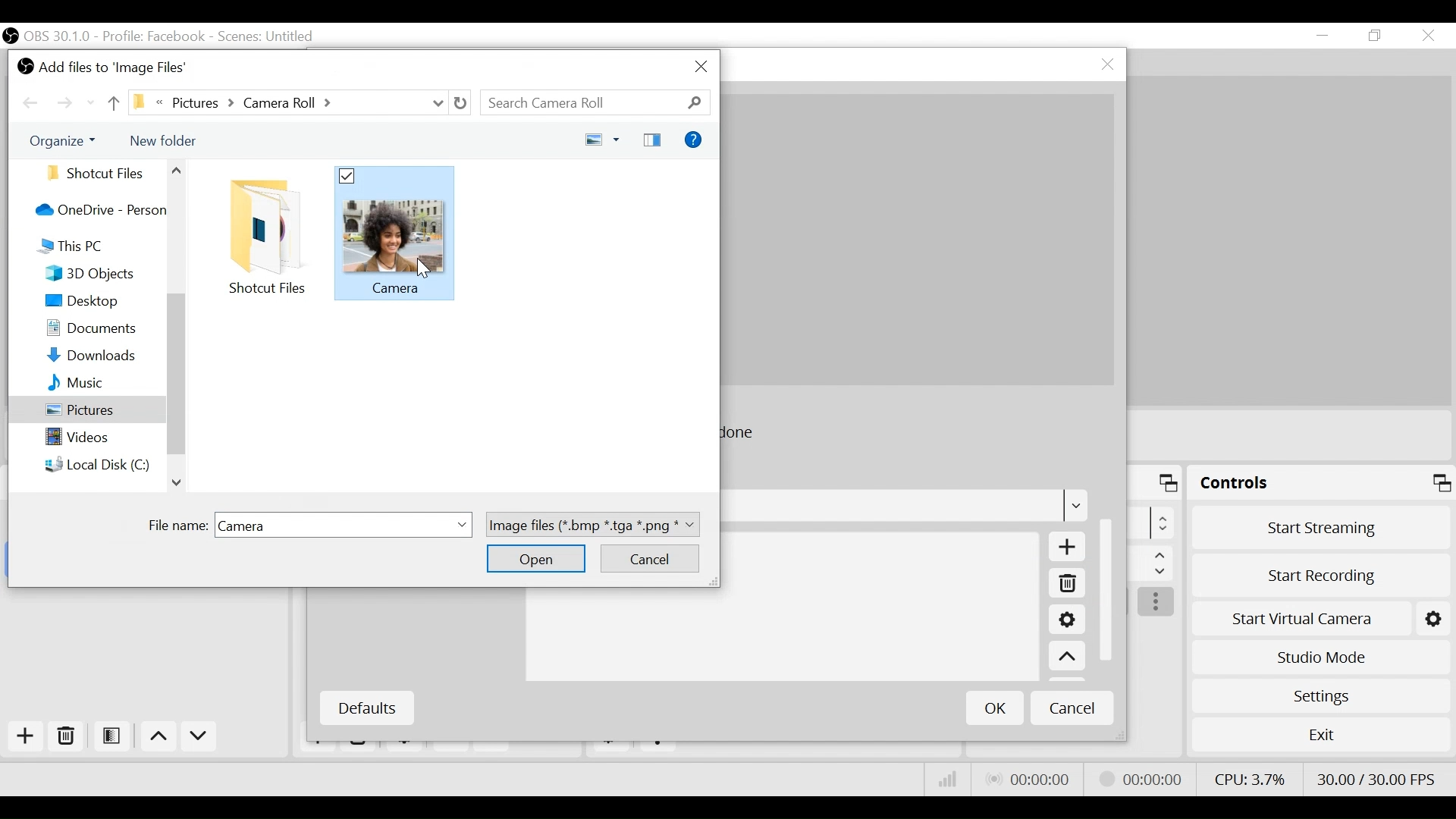  What do you see at coordinates (271, 237) in the screenshot?
I see `Folder` at bounding box center [271, 237].